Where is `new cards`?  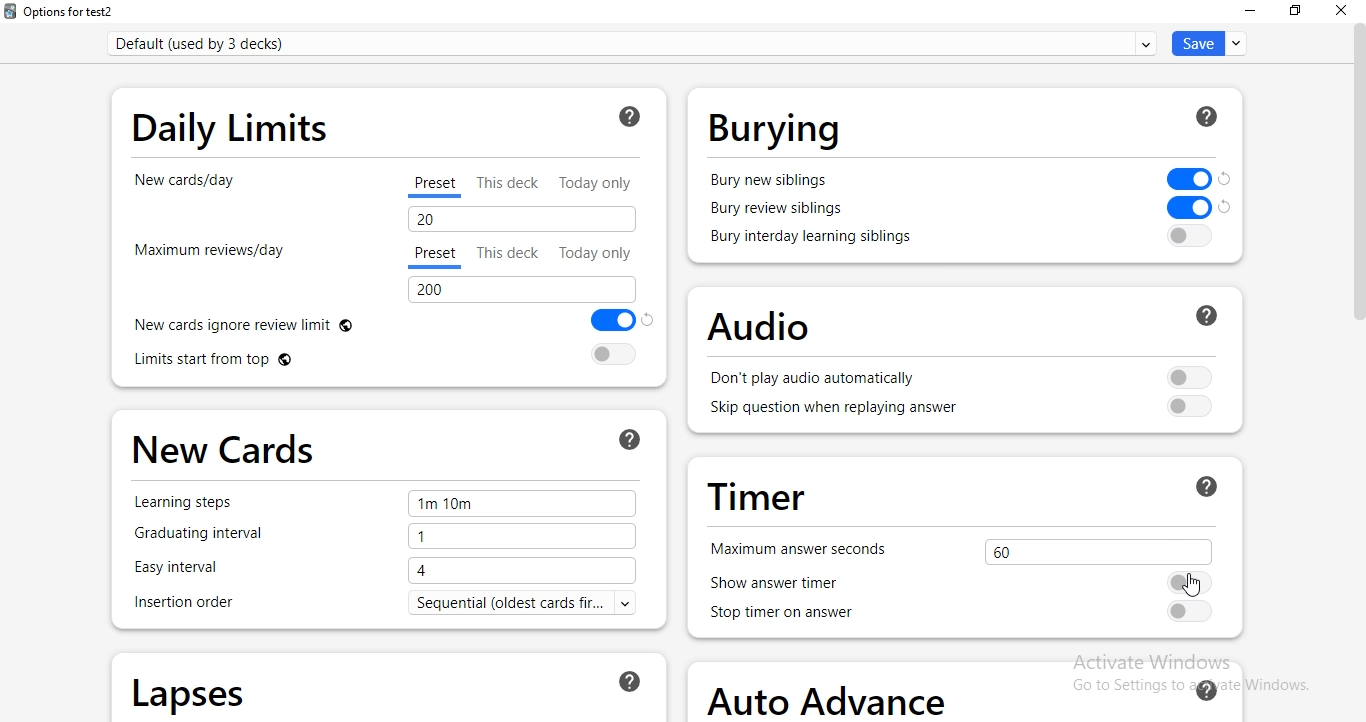 new cards is located at coordinates (384, 448).